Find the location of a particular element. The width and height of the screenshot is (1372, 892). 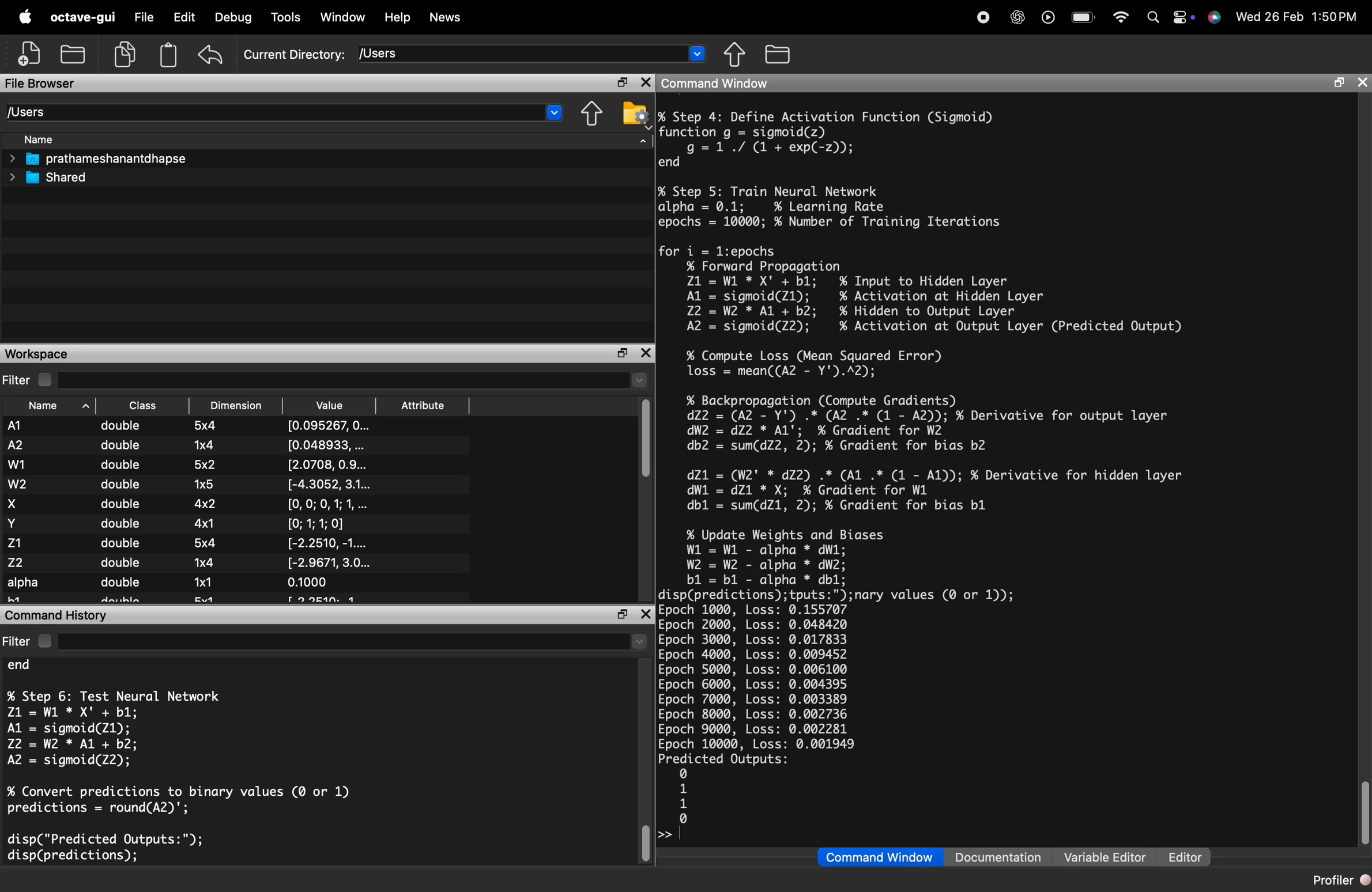

Class is located at coordinates (144, 407).